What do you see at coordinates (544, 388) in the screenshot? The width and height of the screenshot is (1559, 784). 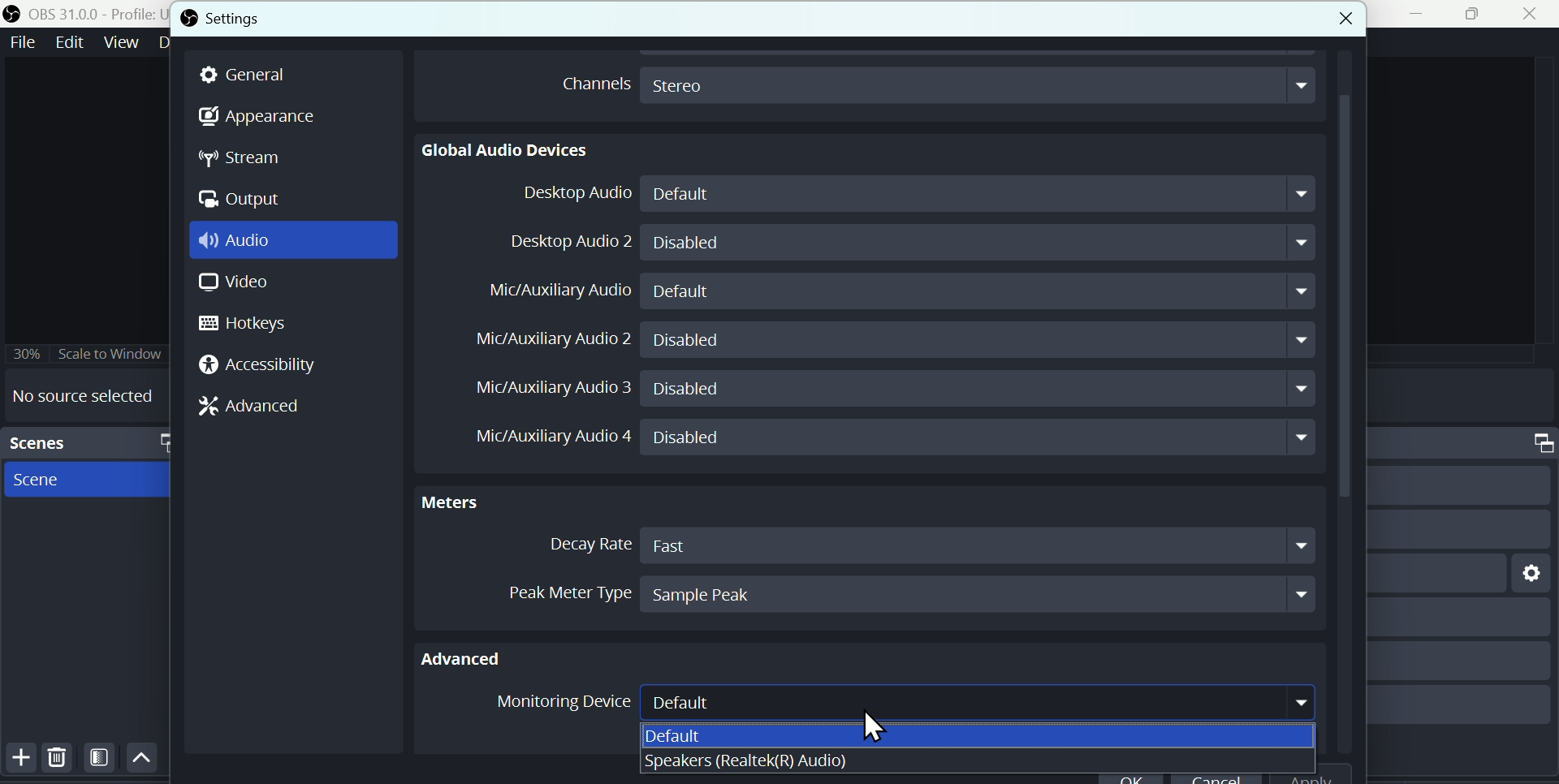 I see `Mic/Auxiliary Audio 3` at bounding box center [544, 388].